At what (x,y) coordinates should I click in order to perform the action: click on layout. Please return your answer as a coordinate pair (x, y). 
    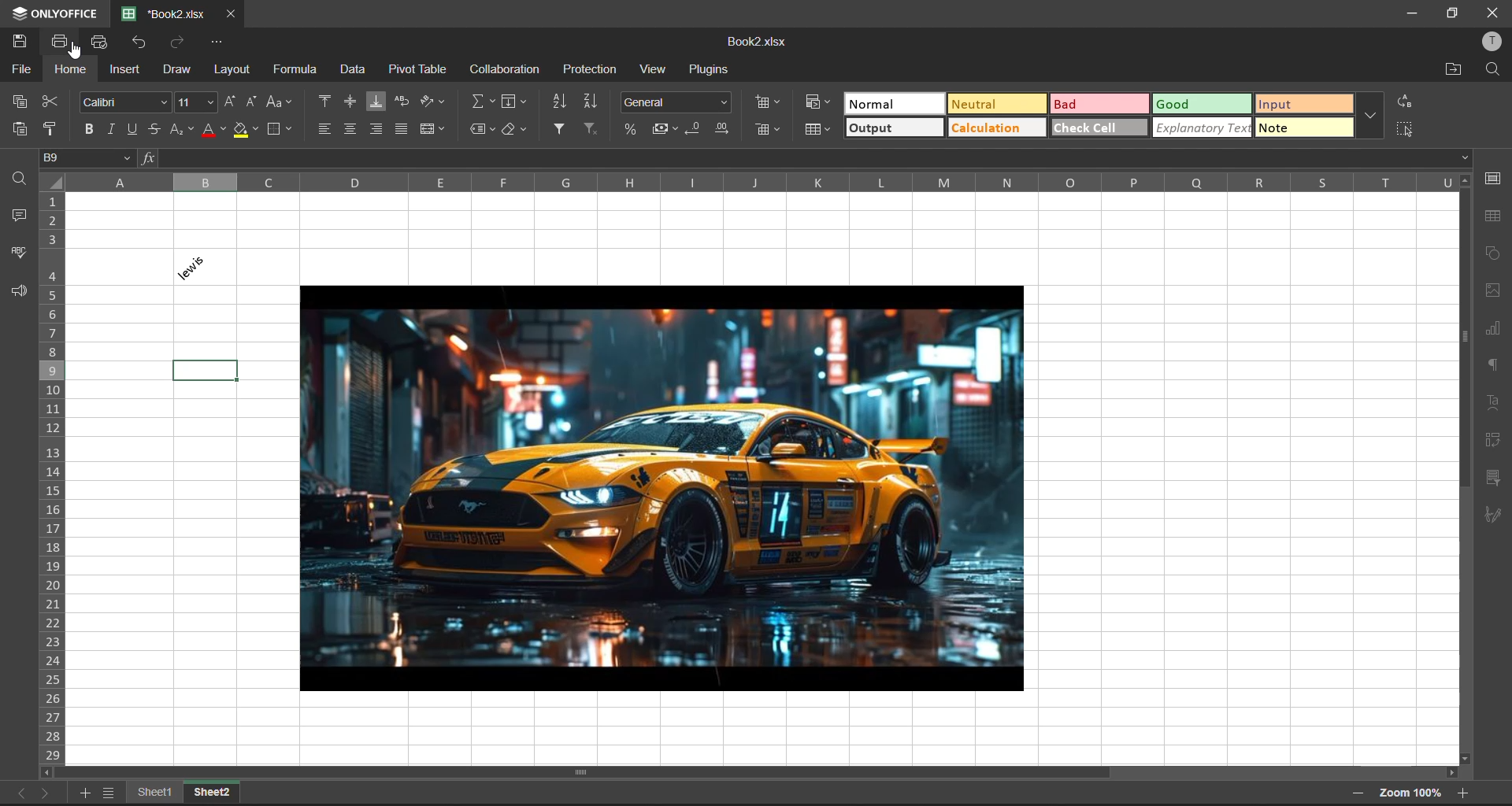
    Looking at the image, I should click on (235, 70).